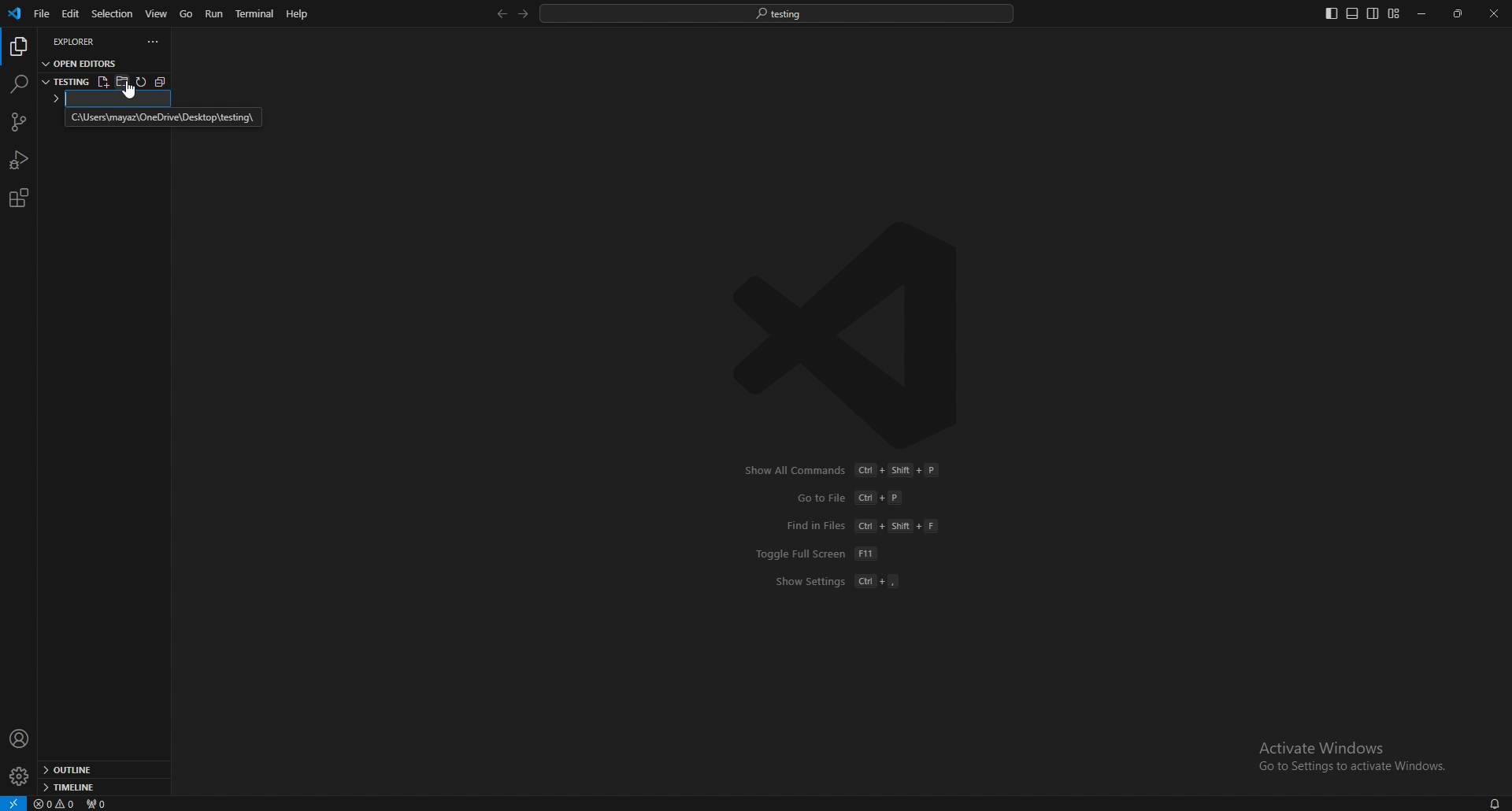  What do you see at coordinates (103, 804) in the screenshot?
I see `ports forwarded` at bounding box center [103, 804].